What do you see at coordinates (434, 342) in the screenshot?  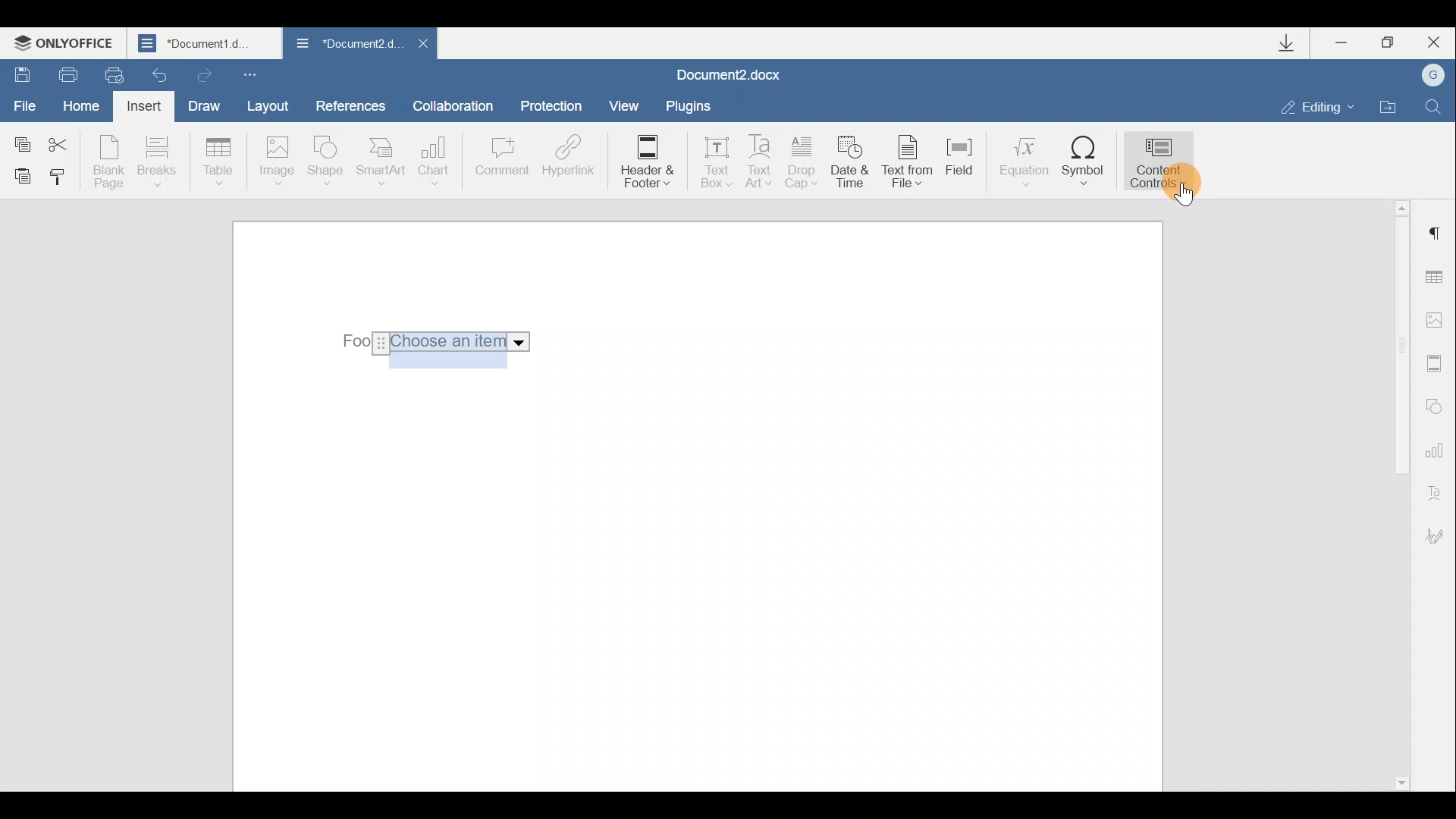 I see `Drop-down` at bounding box center [434, 342].